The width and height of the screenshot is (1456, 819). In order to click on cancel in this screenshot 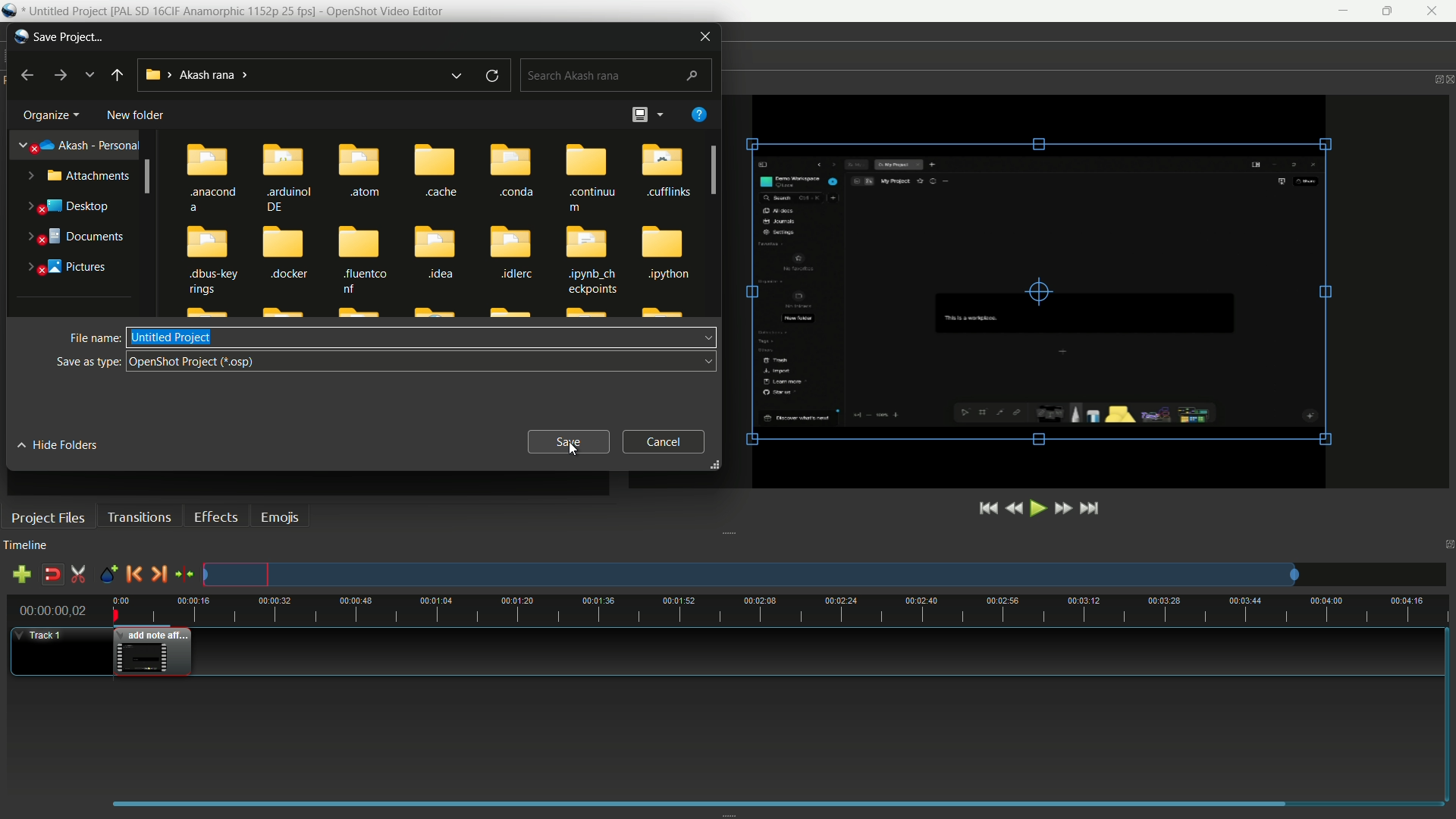, I will do `click(663, 441)`.